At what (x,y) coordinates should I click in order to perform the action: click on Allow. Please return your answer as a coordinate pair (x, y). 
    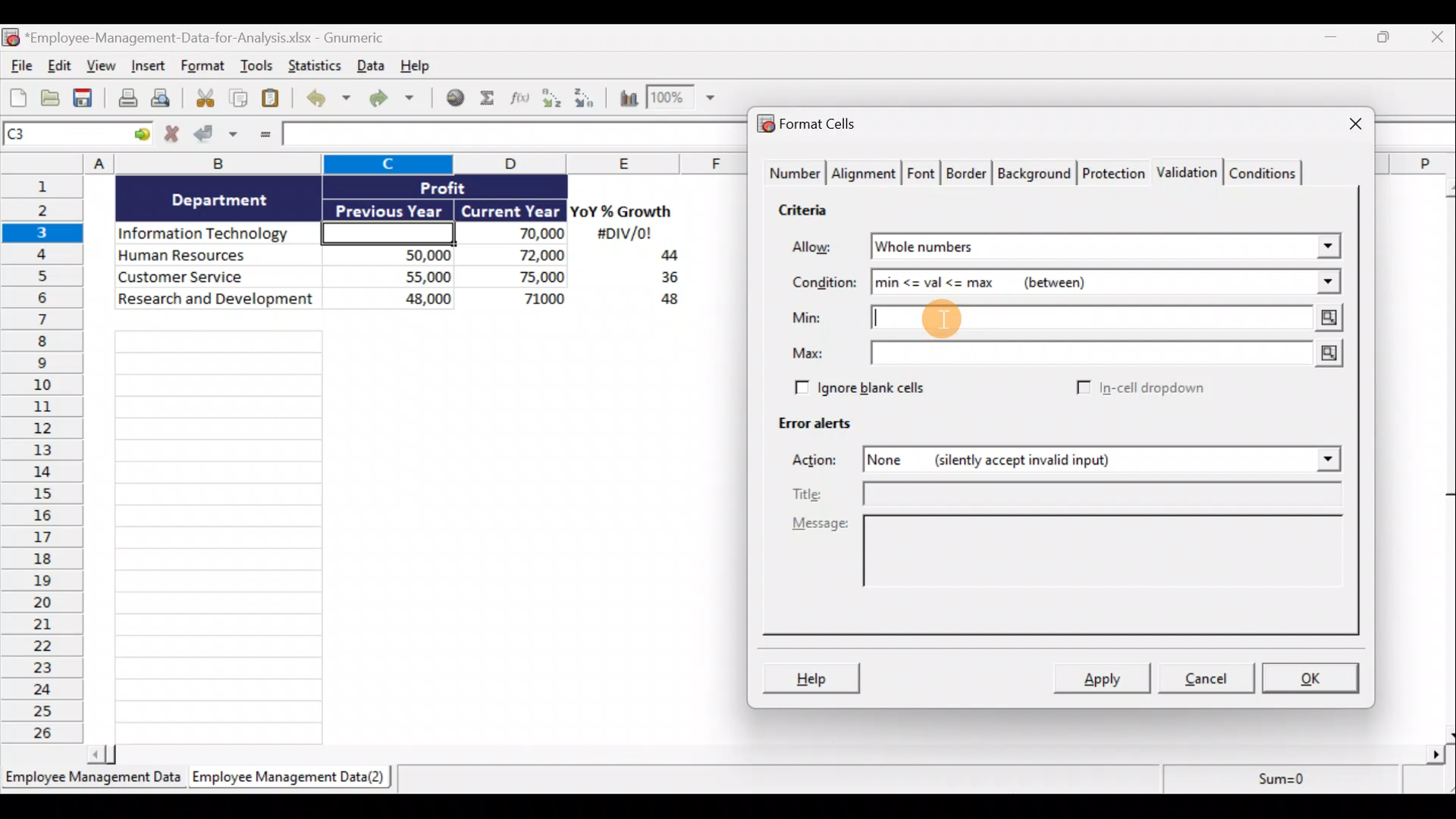
    Looking at the image, I should click on (823, 248).